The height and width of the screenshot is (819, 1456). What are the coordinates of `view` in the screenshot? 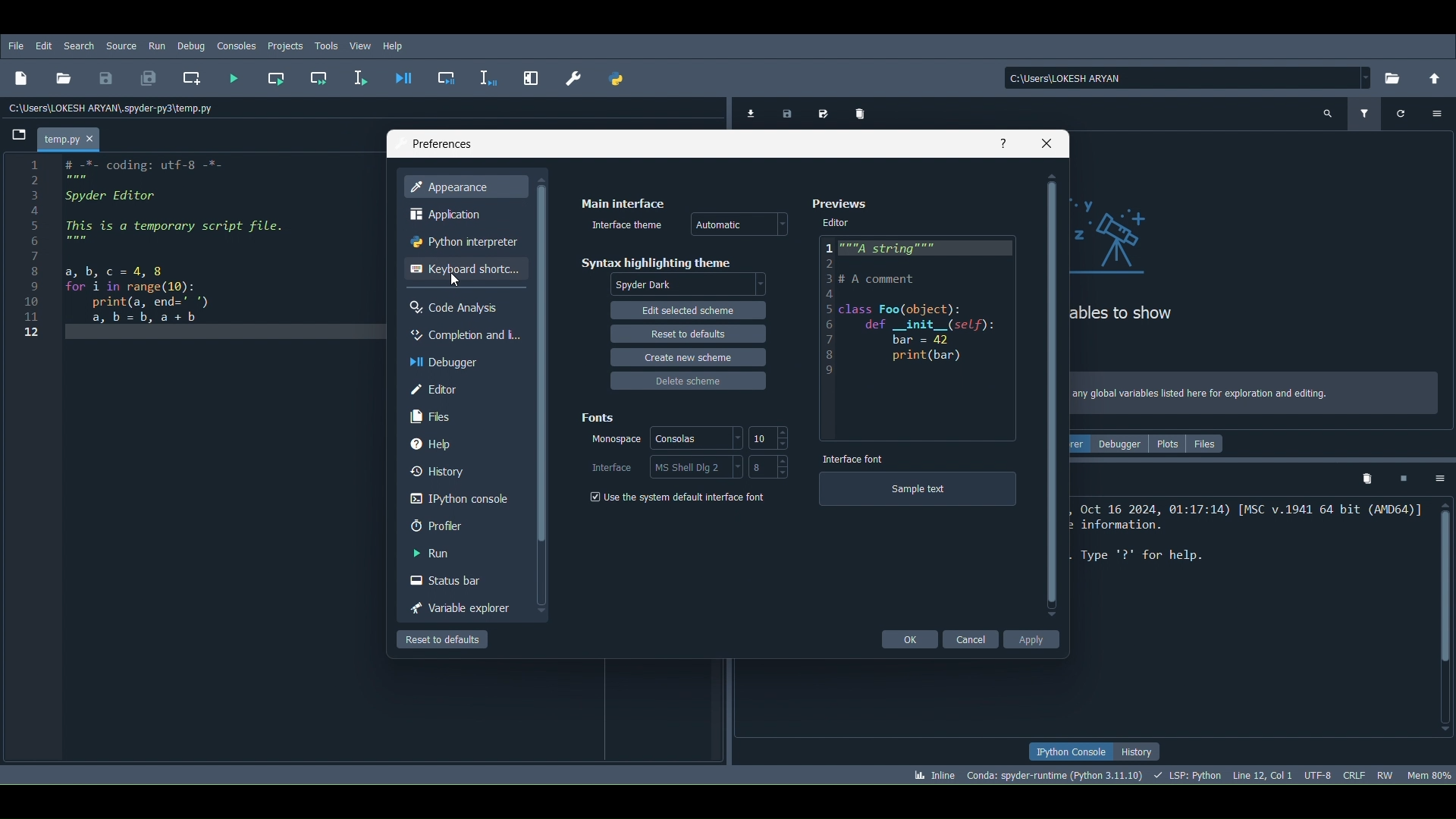 It's located at (362, 44).